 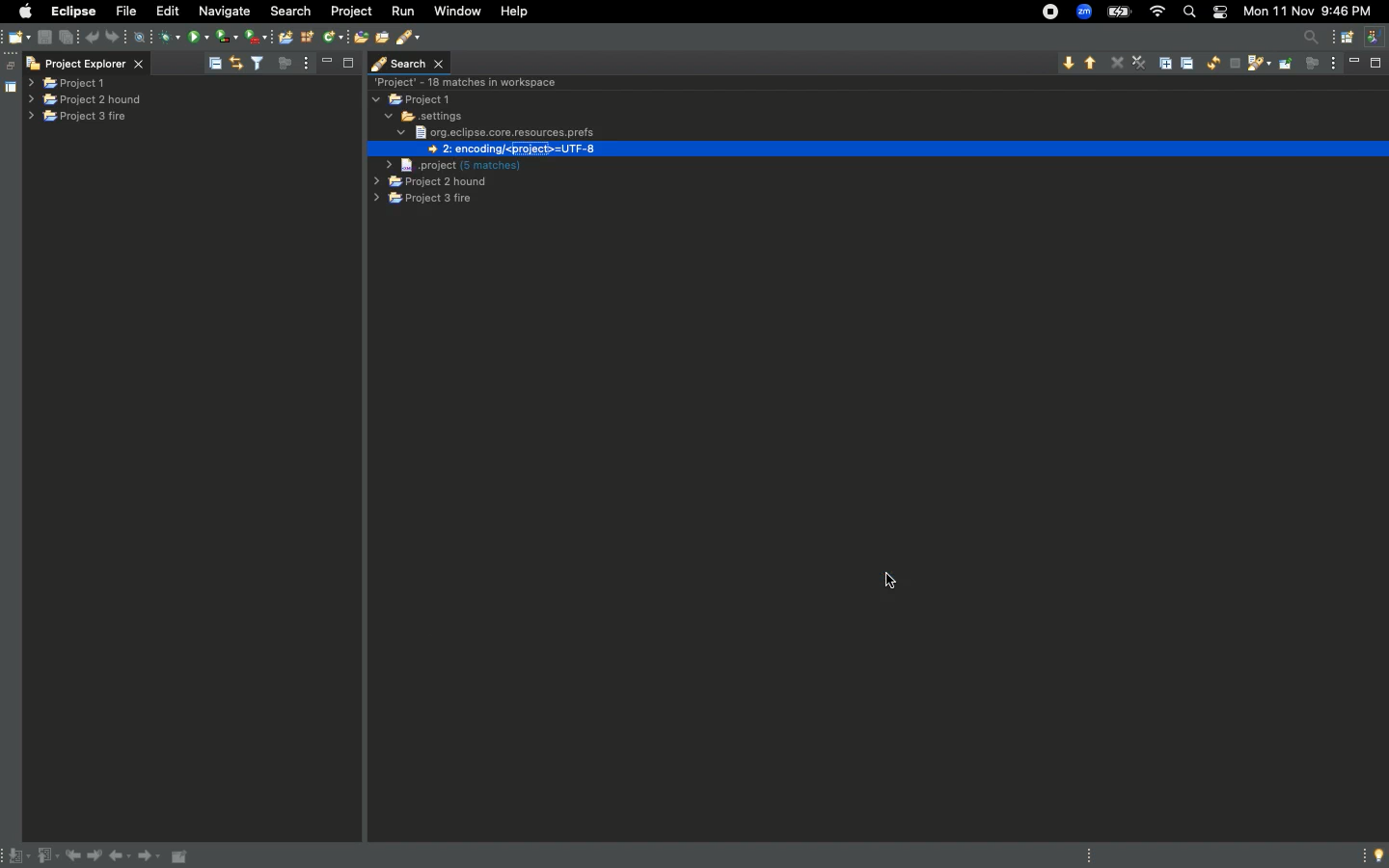 What do you see at coordinates (214, 61) in the screenshot?
I see `collapse all` at bounding box center [214, 61].